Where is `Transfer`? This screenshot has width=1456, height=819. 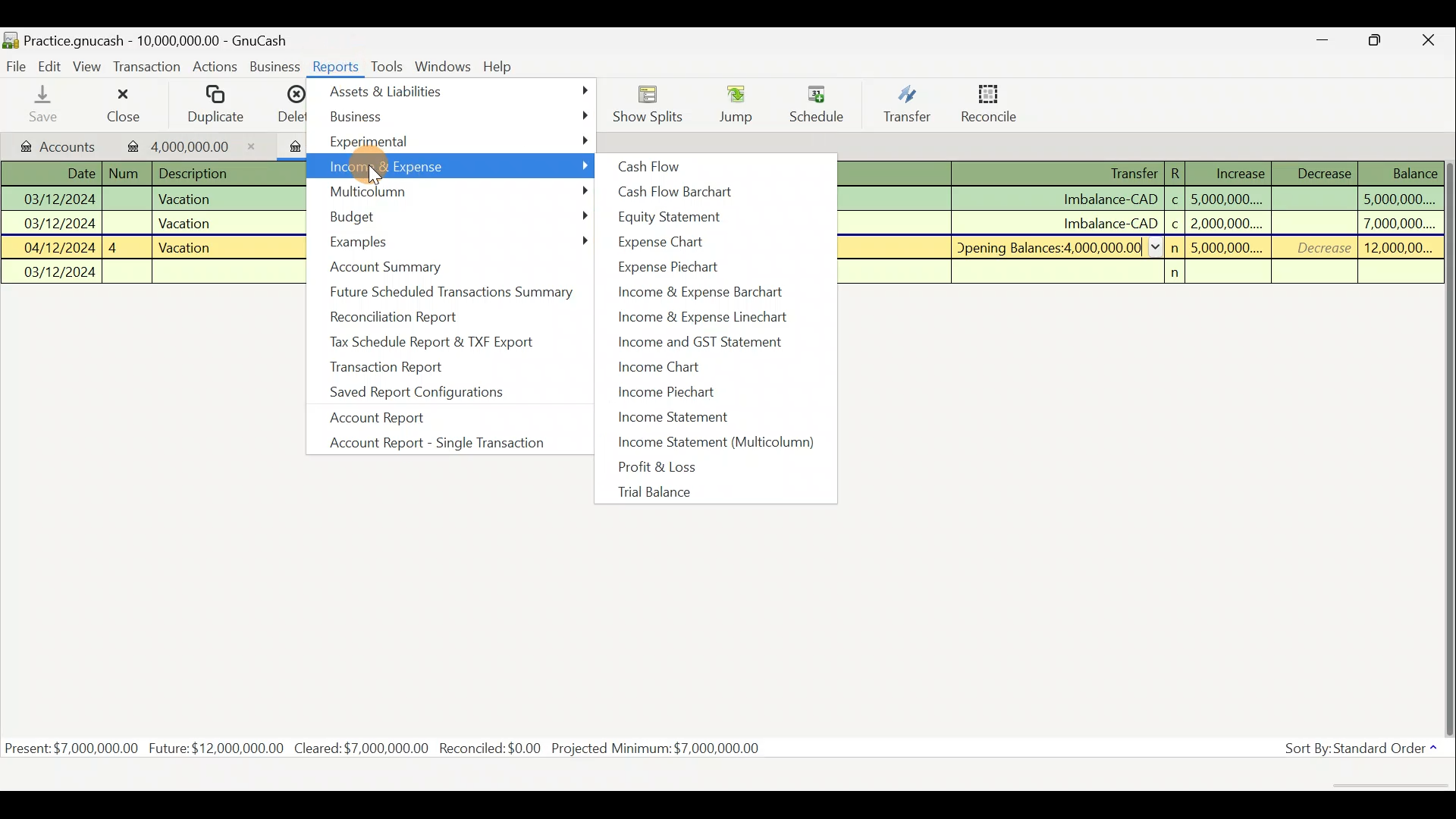 Transfer is located at coordinates (904, 106).